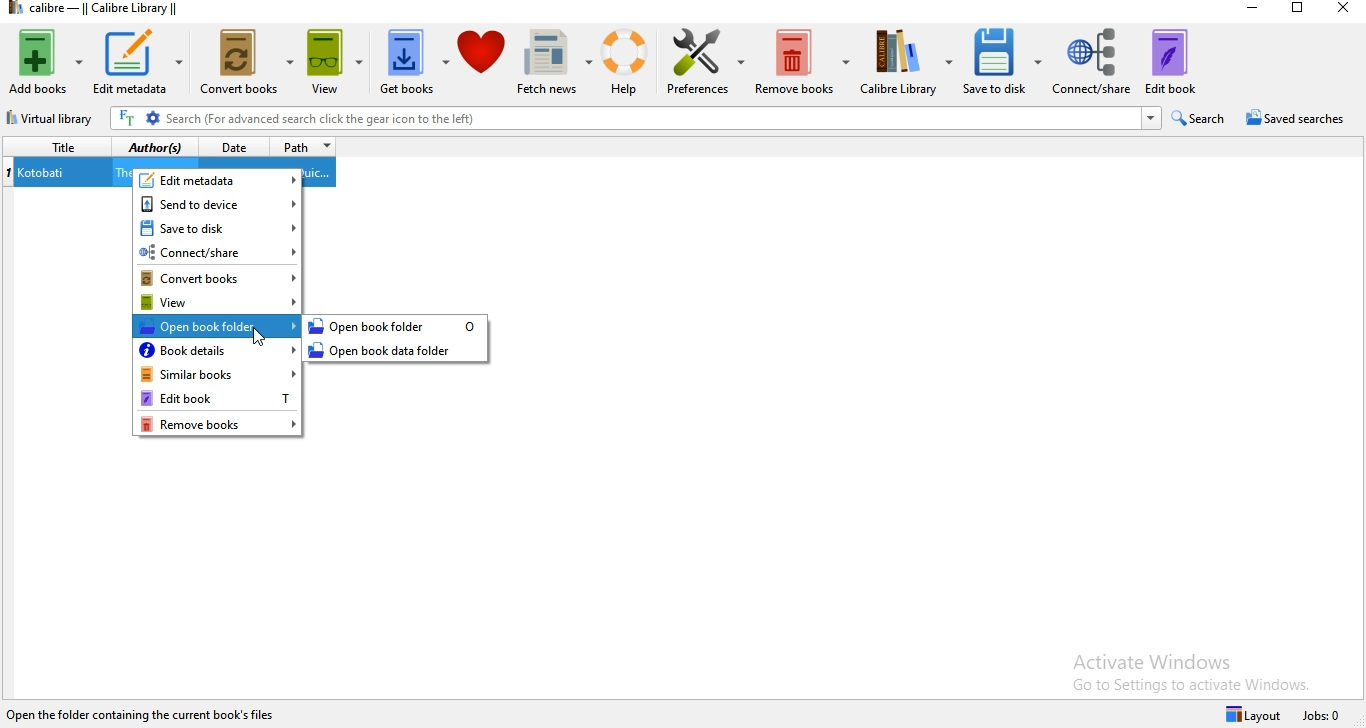 The image size is (1366, 728). What do you see at coordinates (220, 252) in the screenshot?
I see `connect/share` at bounding box center [220, 252].